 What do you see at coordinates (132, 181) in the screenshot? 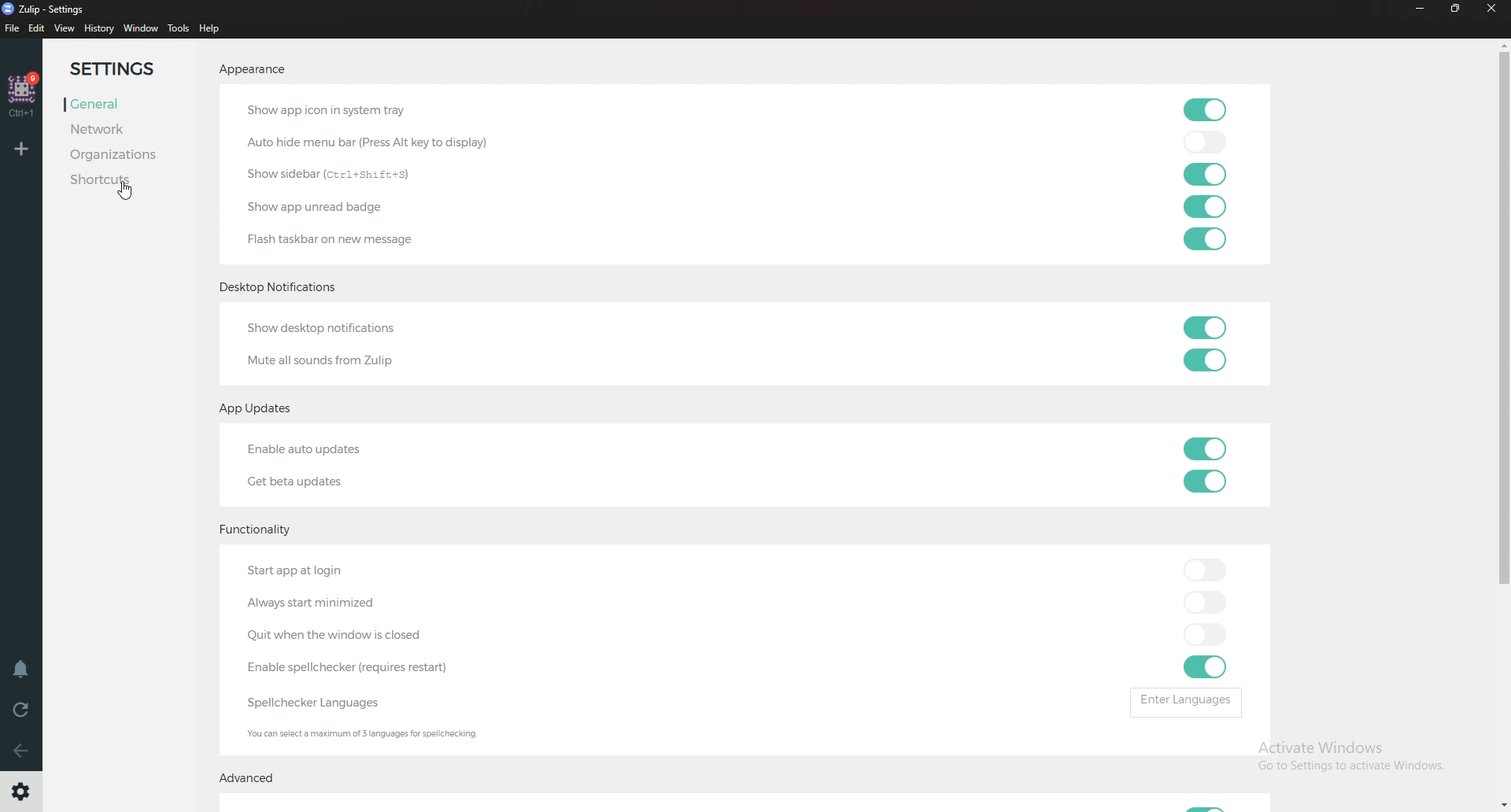
I see `Shortcuts` at bounding box center [132, 181].